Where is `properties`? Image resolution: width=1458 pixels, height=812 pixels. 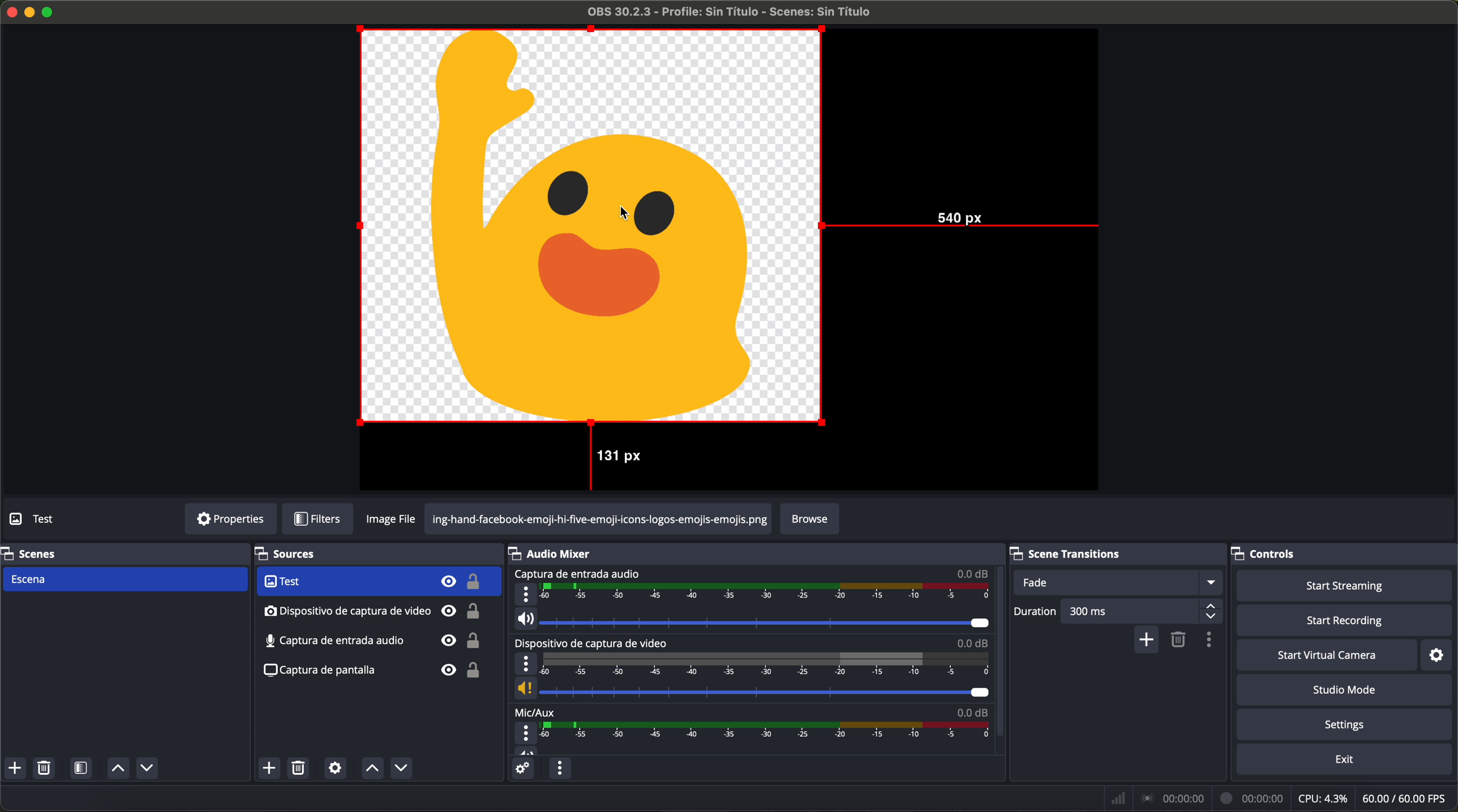
properties is located at coordinates (230, 519).